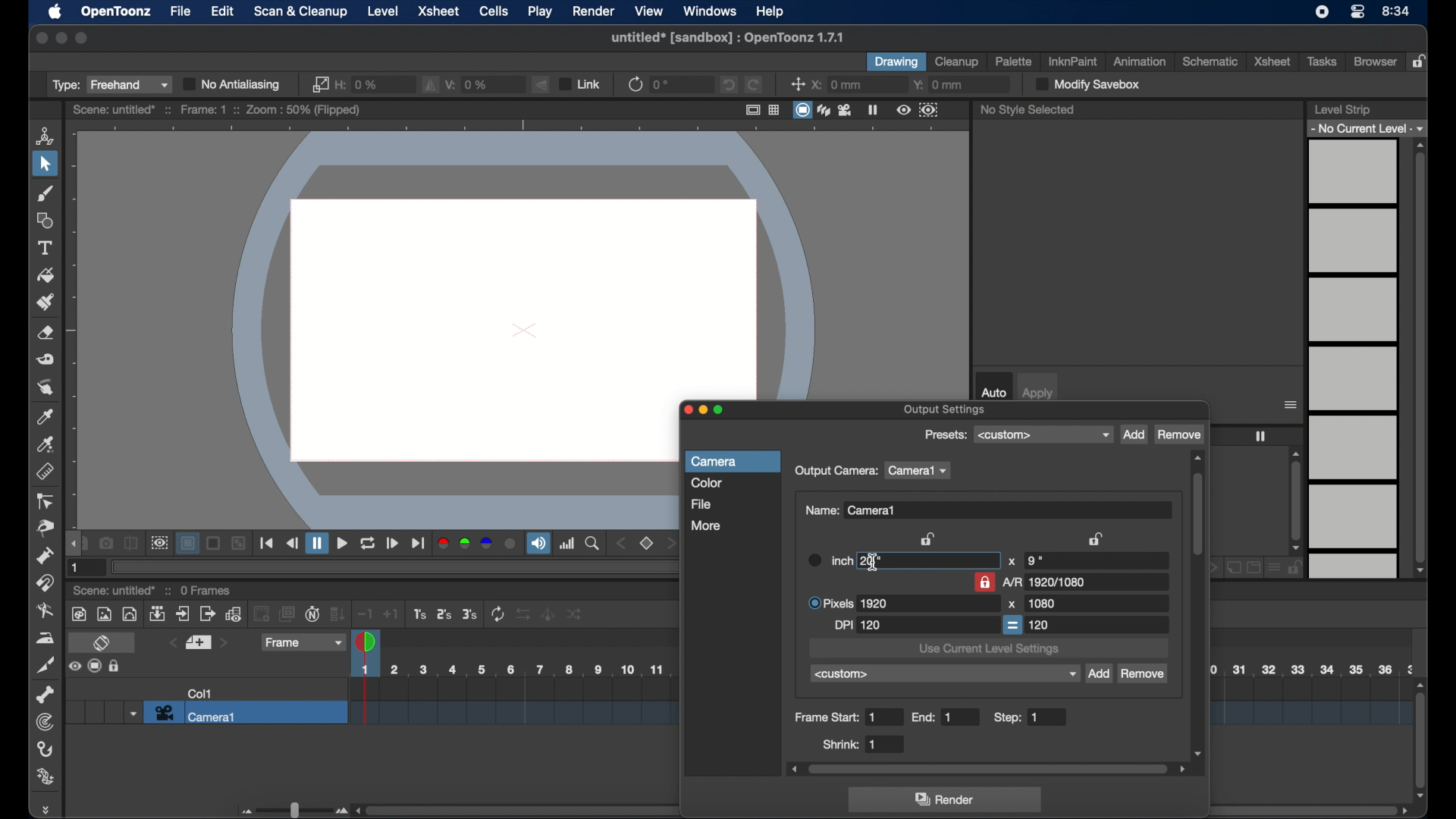  I want to click on link, so click(318, 84).